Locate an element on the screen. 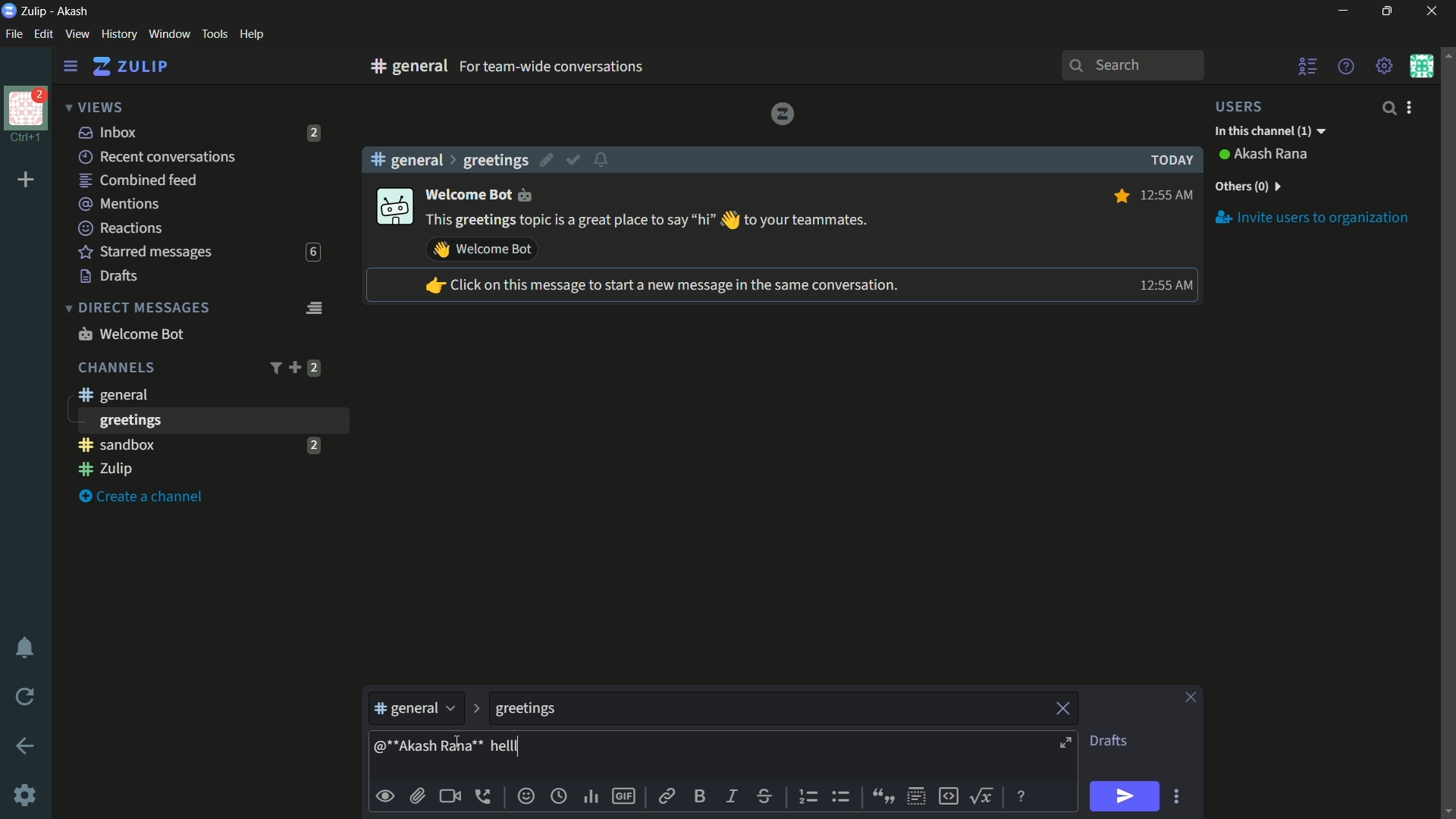  underordered list is located at coordinates (840, 795).